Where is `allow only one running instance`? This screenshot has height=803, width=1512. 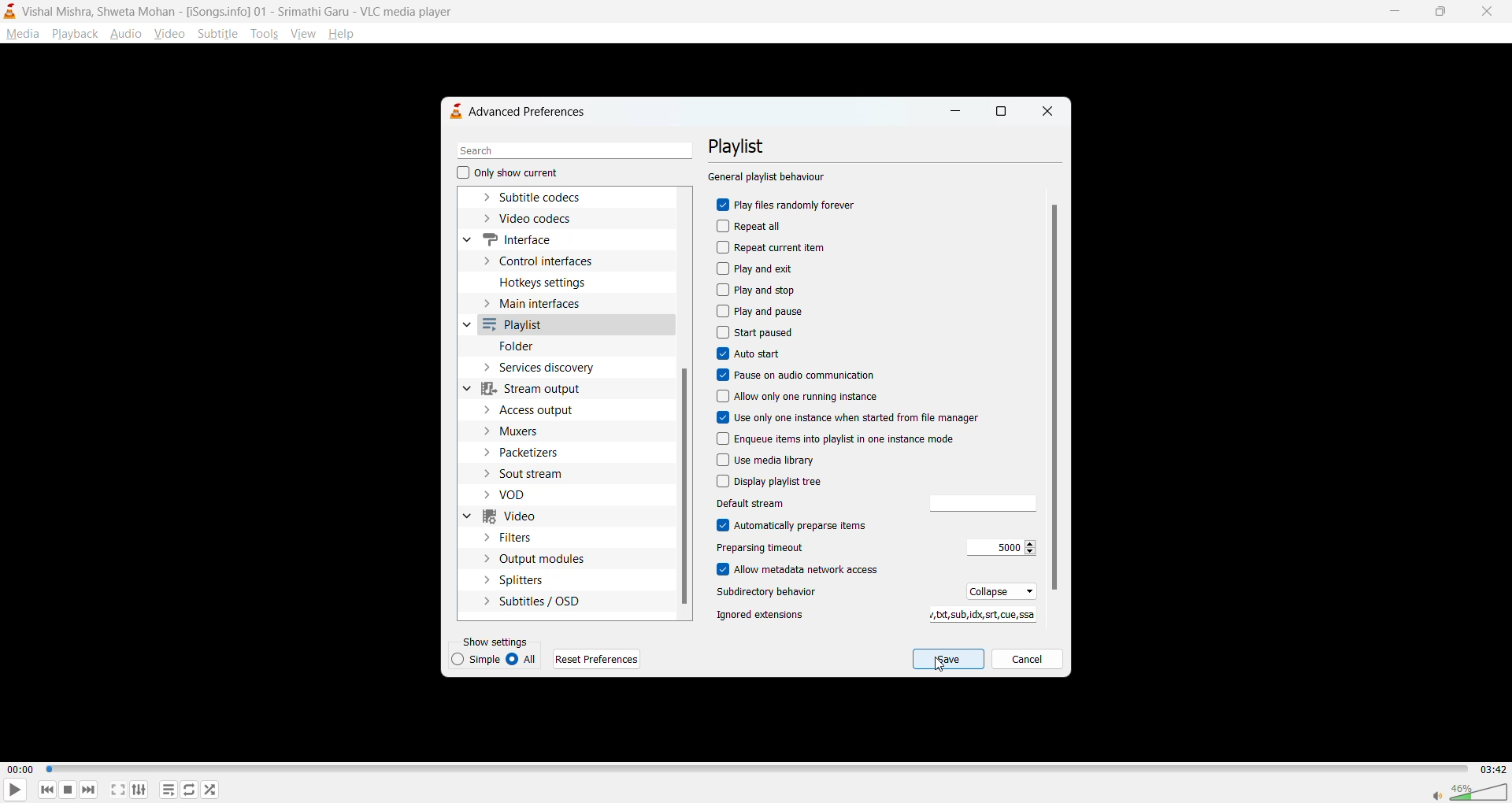 allow only one running instance is located at coordinates (801, 398).